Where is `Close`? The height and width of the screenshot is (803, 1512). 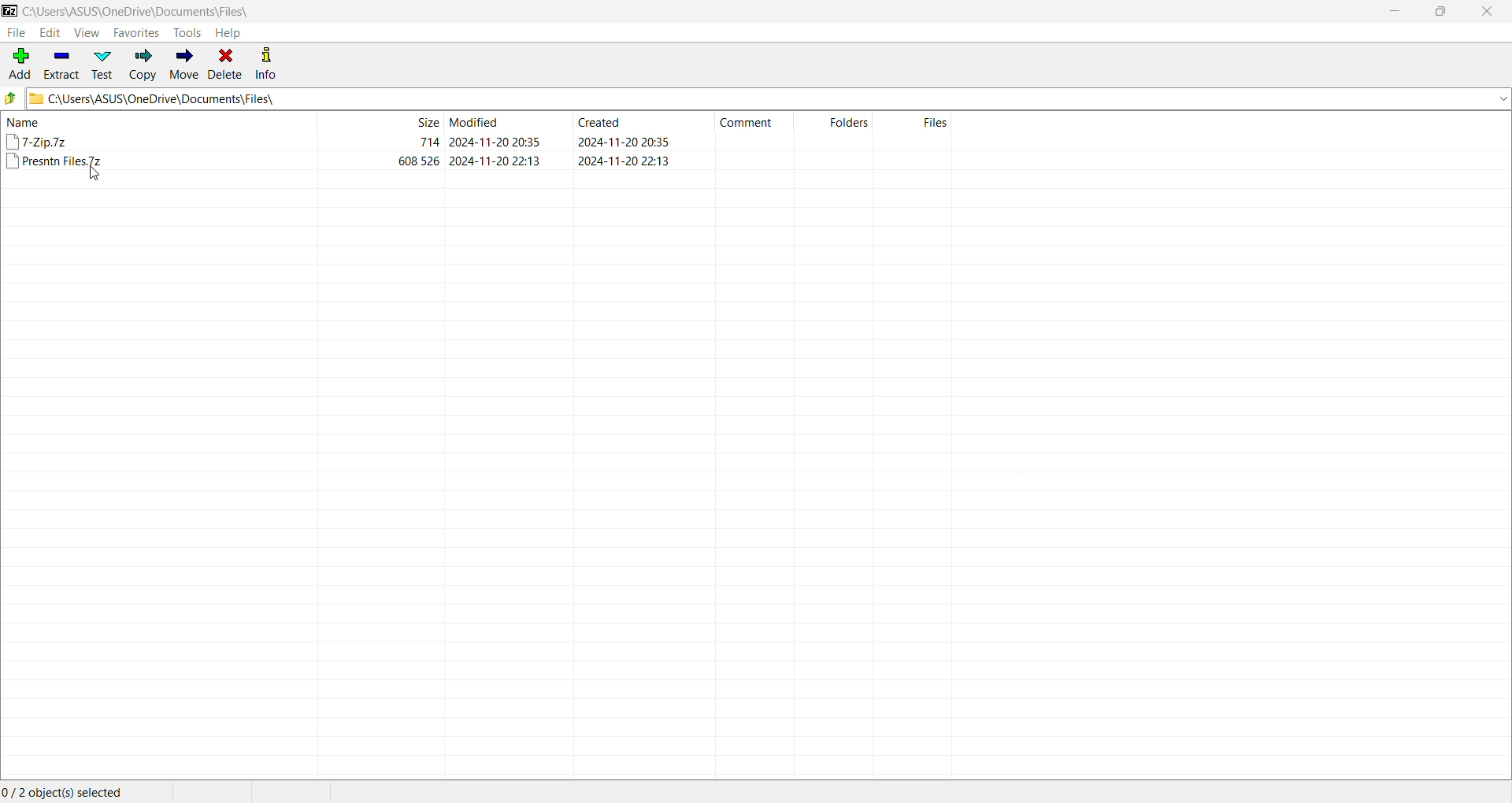 Close is located at coordinates (1490, 12).